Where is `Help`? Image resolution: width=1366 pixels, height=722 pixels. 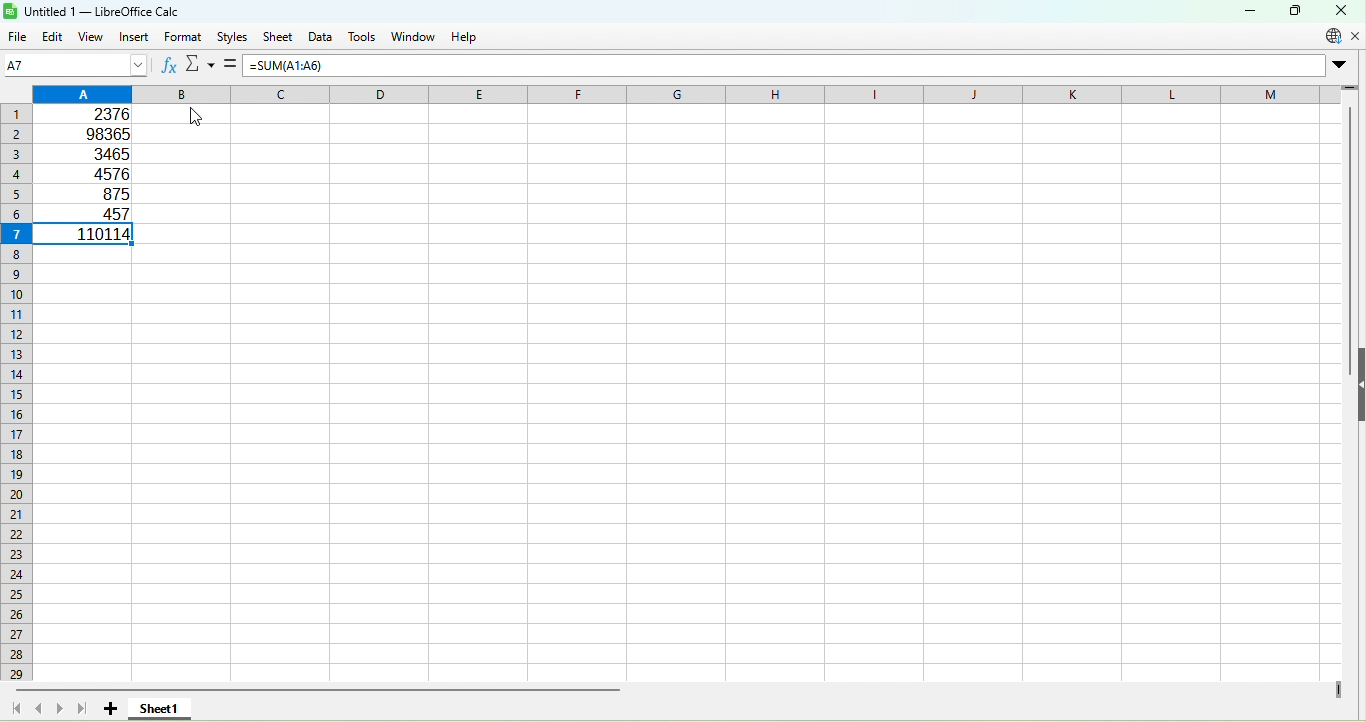 Help is located at coordinates (467, 36).